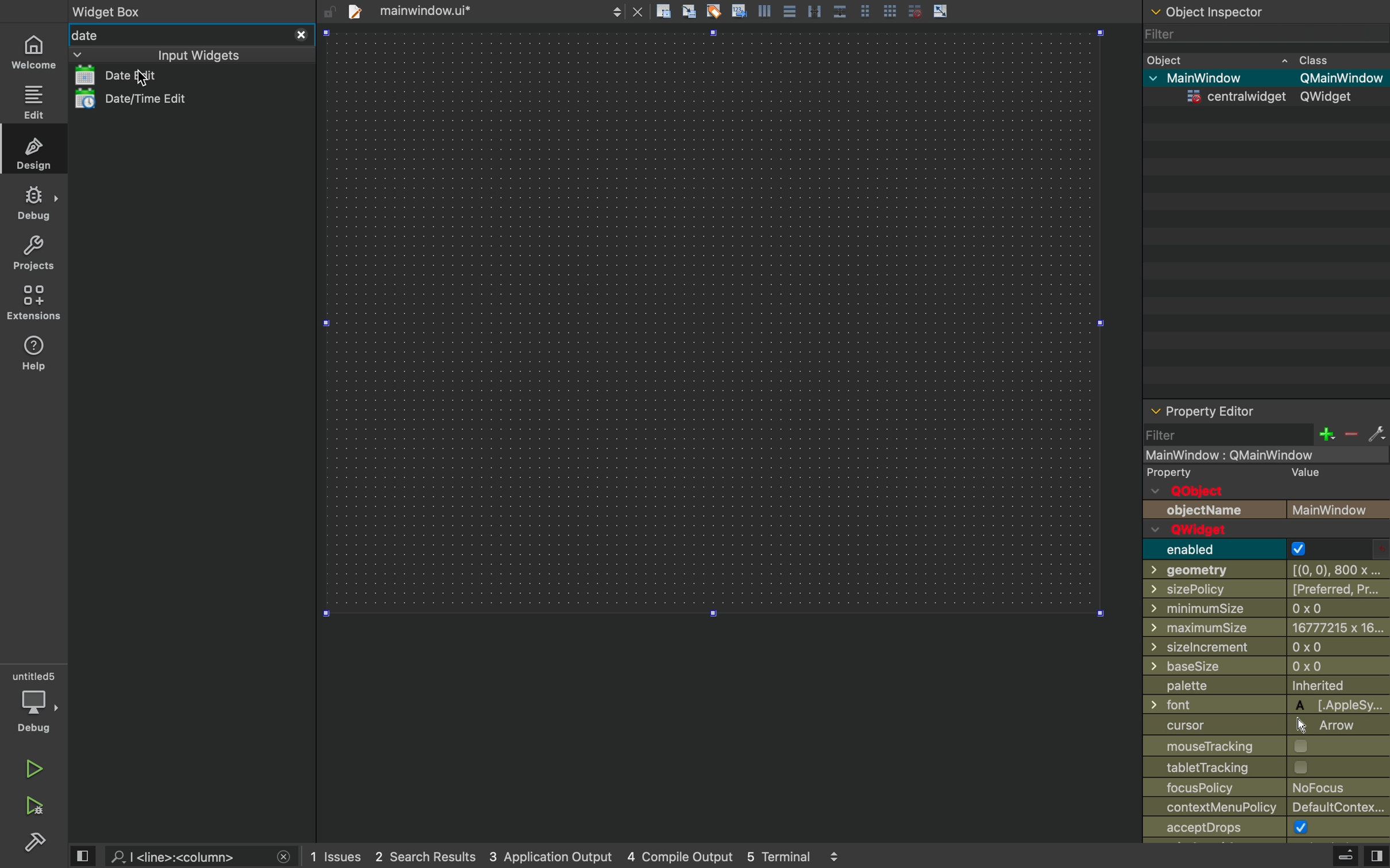 This screenshot has height=868, width=1390. Describe the element at coordinates (111, 10) in the screenshot. I see `widget box` at that location.